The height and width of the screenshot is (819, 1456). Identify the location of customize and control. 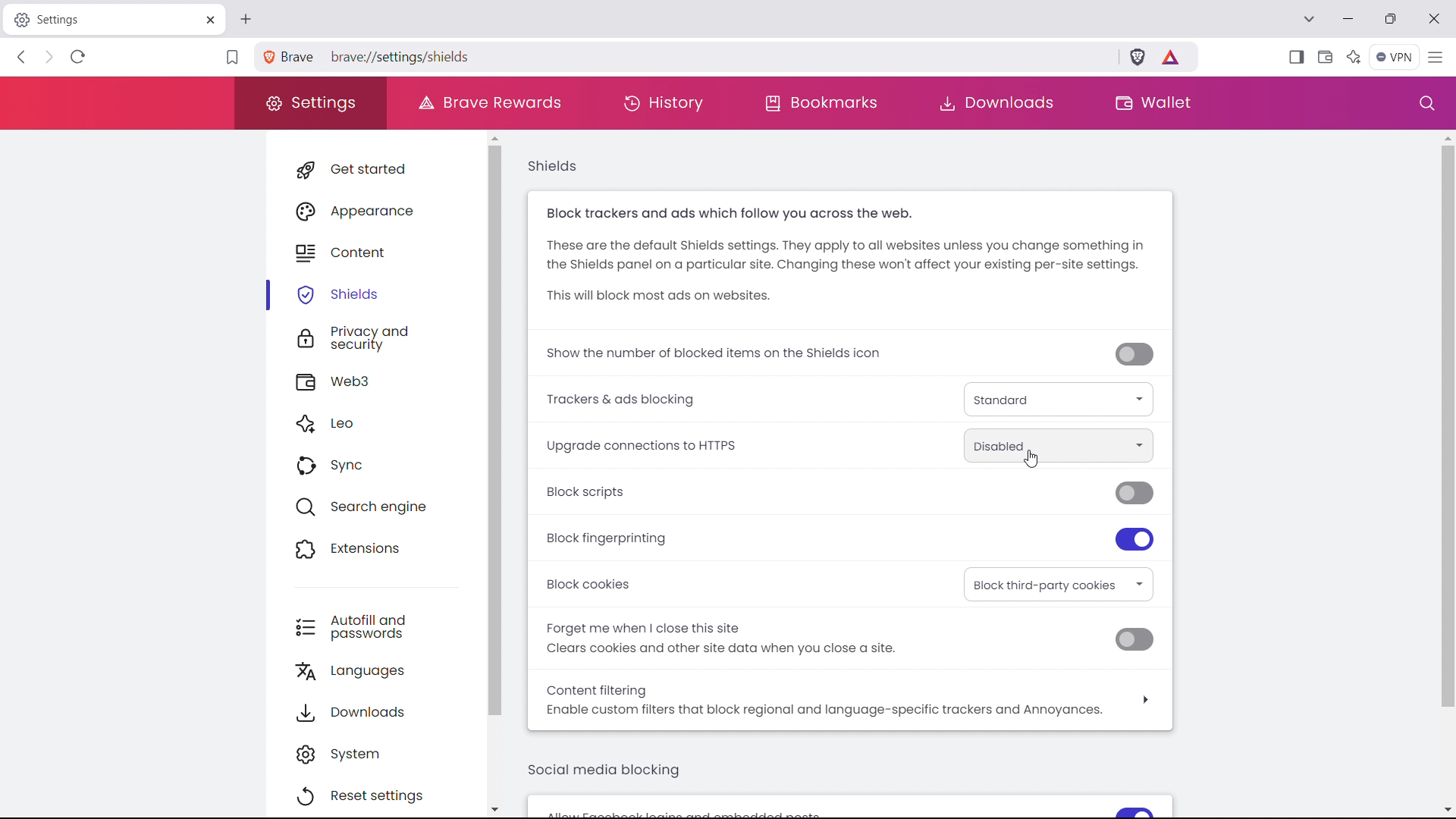
(1436, 58).